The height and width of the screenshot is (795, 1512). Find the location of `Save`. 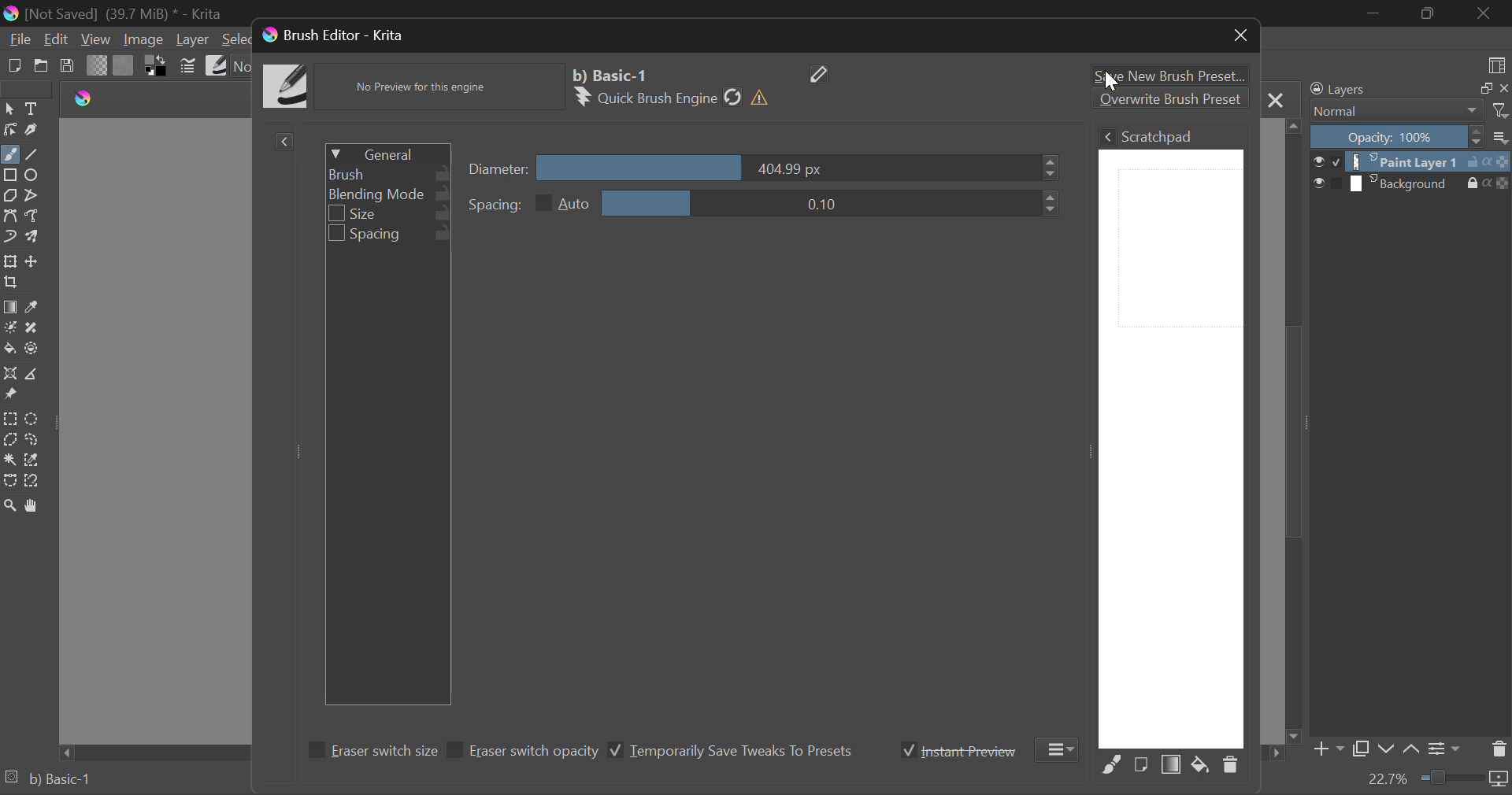

Save is located at coordinates (68, 66).